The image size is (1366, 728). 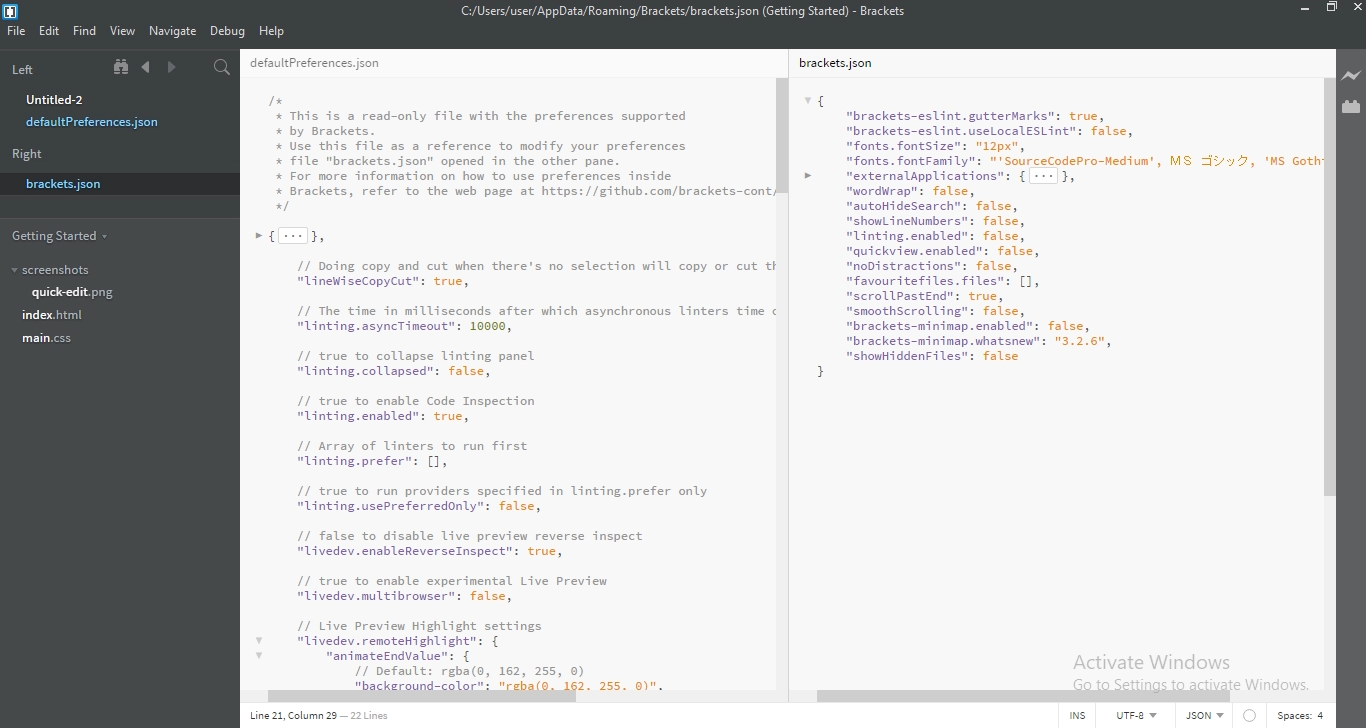 What do you see at coordinates (172, 68) in the screenshot?
I see `next document` at bounding box center [172, 68].